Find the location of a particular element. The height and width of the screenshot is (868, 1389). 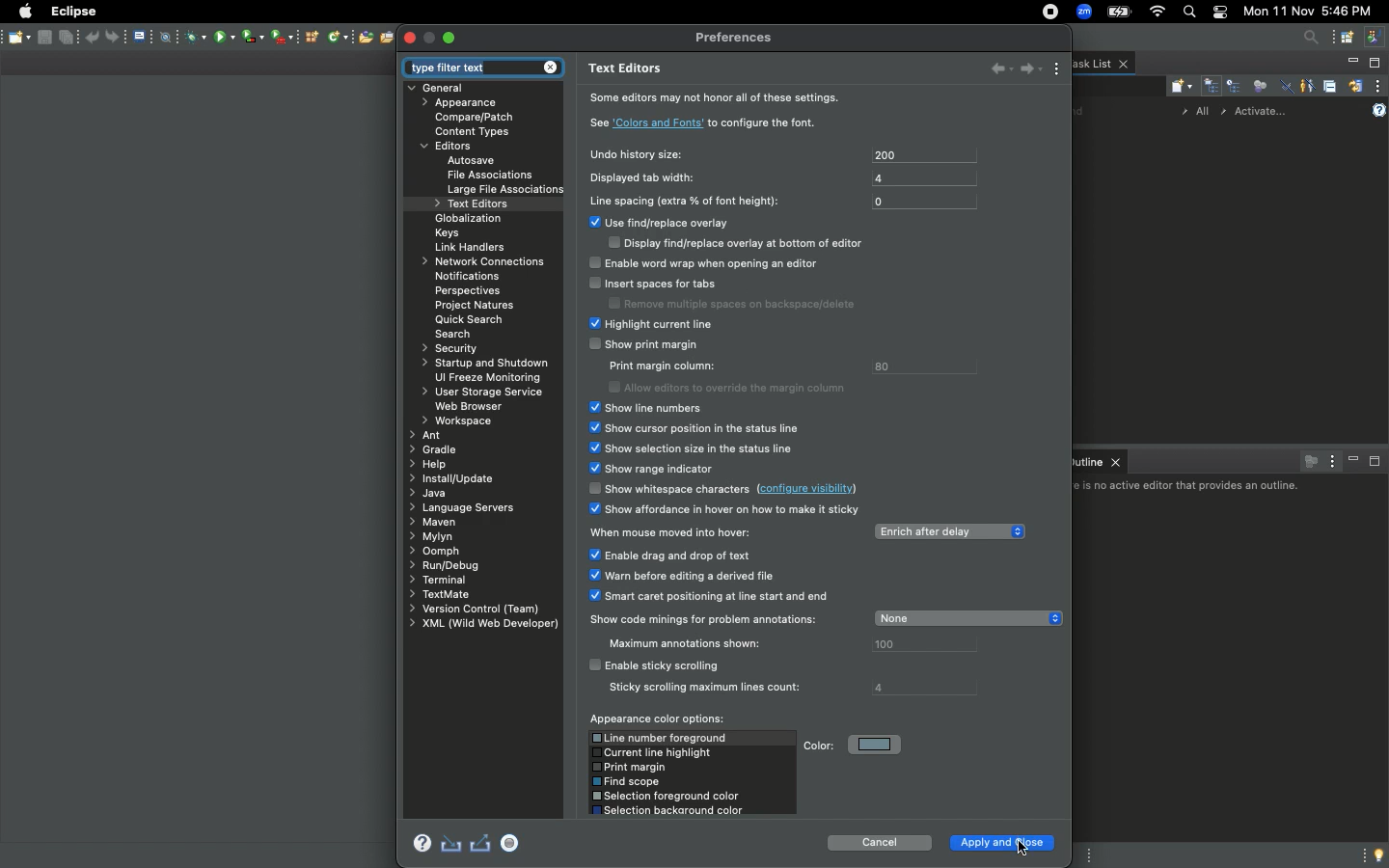

See colors and font to configure the font is located at coordinates (705, 122).